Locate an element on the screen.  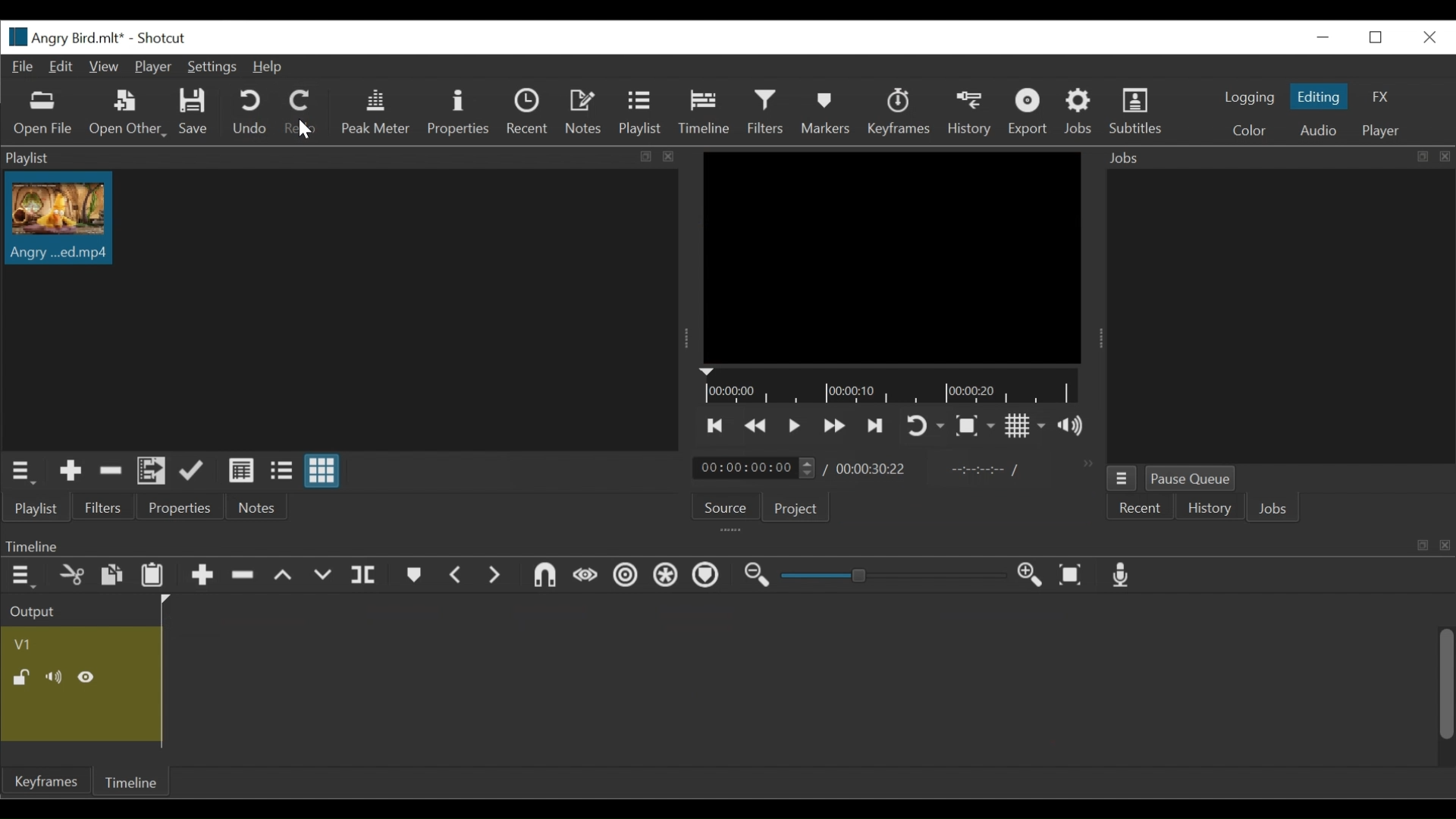
Export is located at coordinates (1027, 111).